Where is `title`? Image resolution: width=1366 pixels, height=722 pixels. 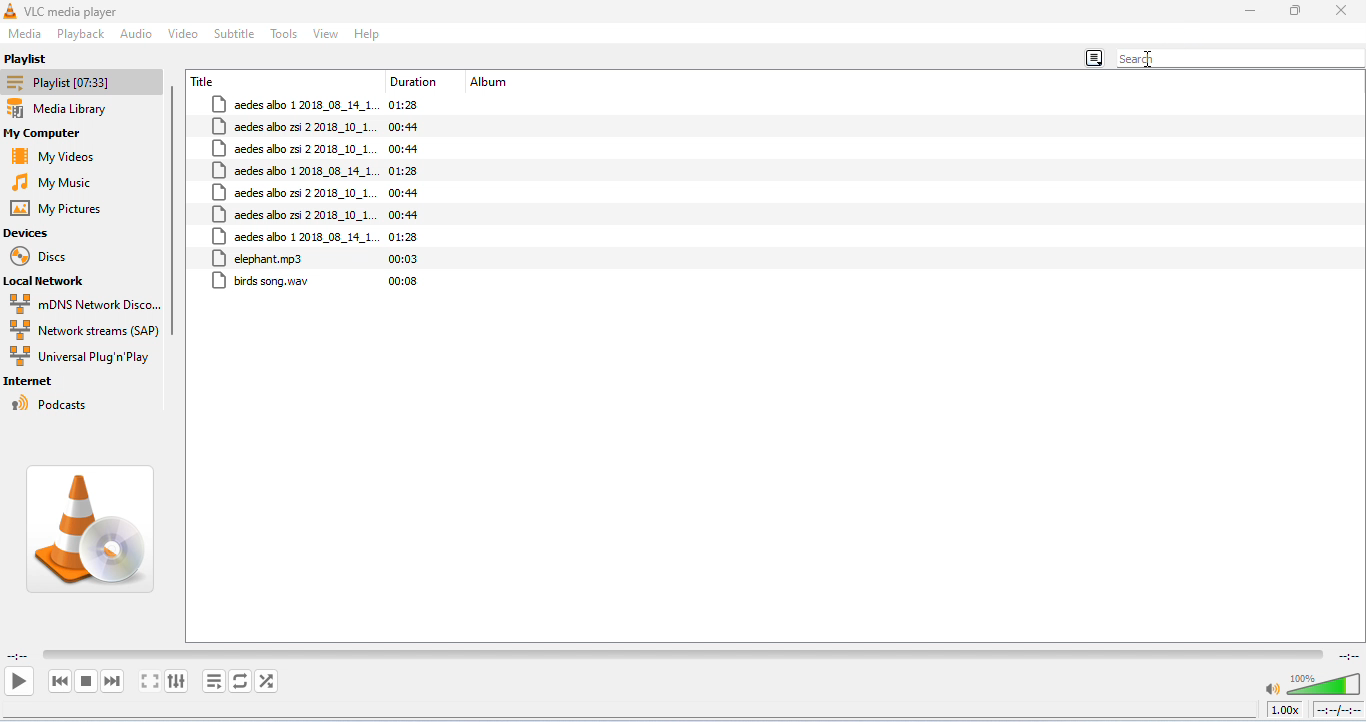 title is located at coordinates (205, 81).